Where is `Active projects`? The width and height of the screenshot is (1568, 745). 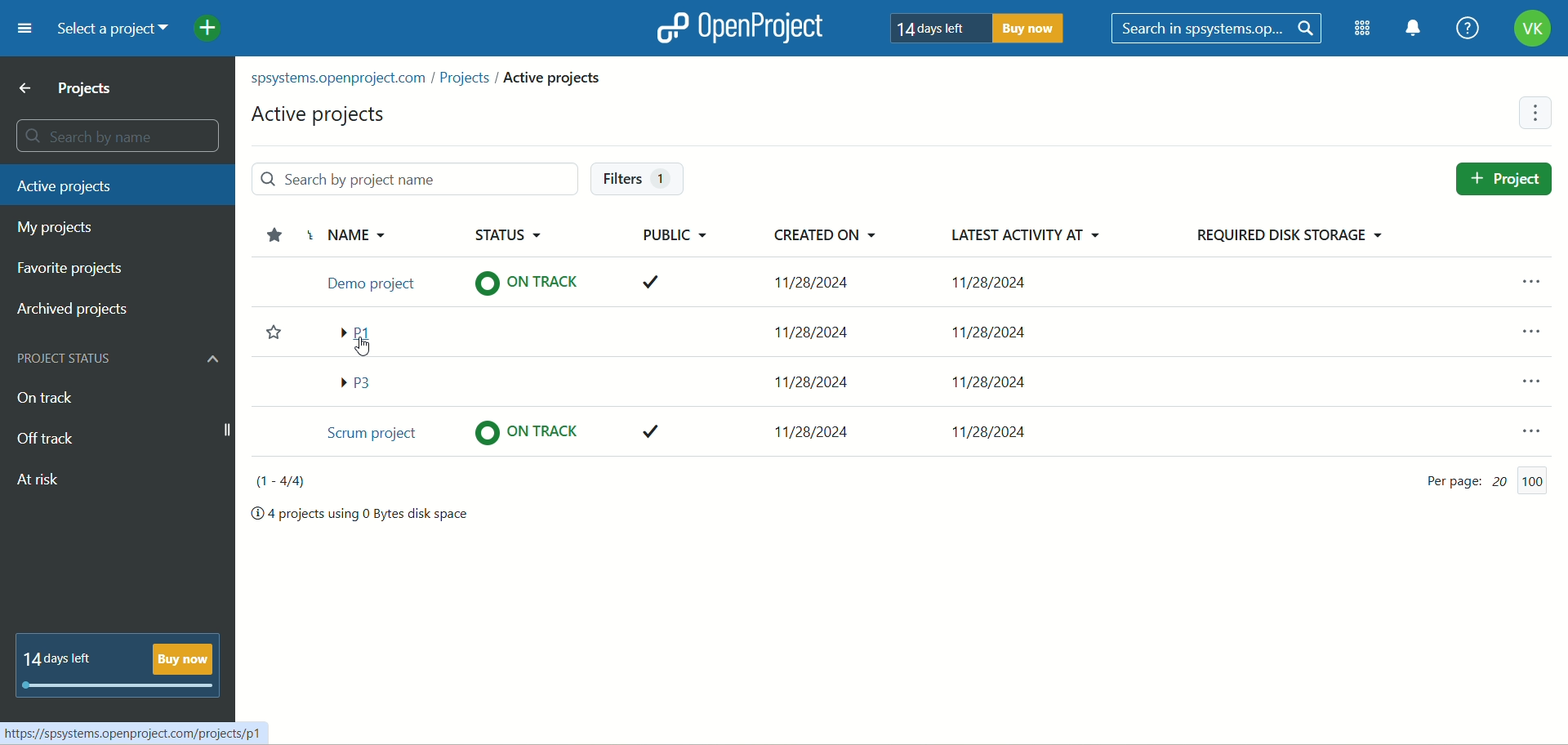 Active projects is located at coordinates (554, 77).